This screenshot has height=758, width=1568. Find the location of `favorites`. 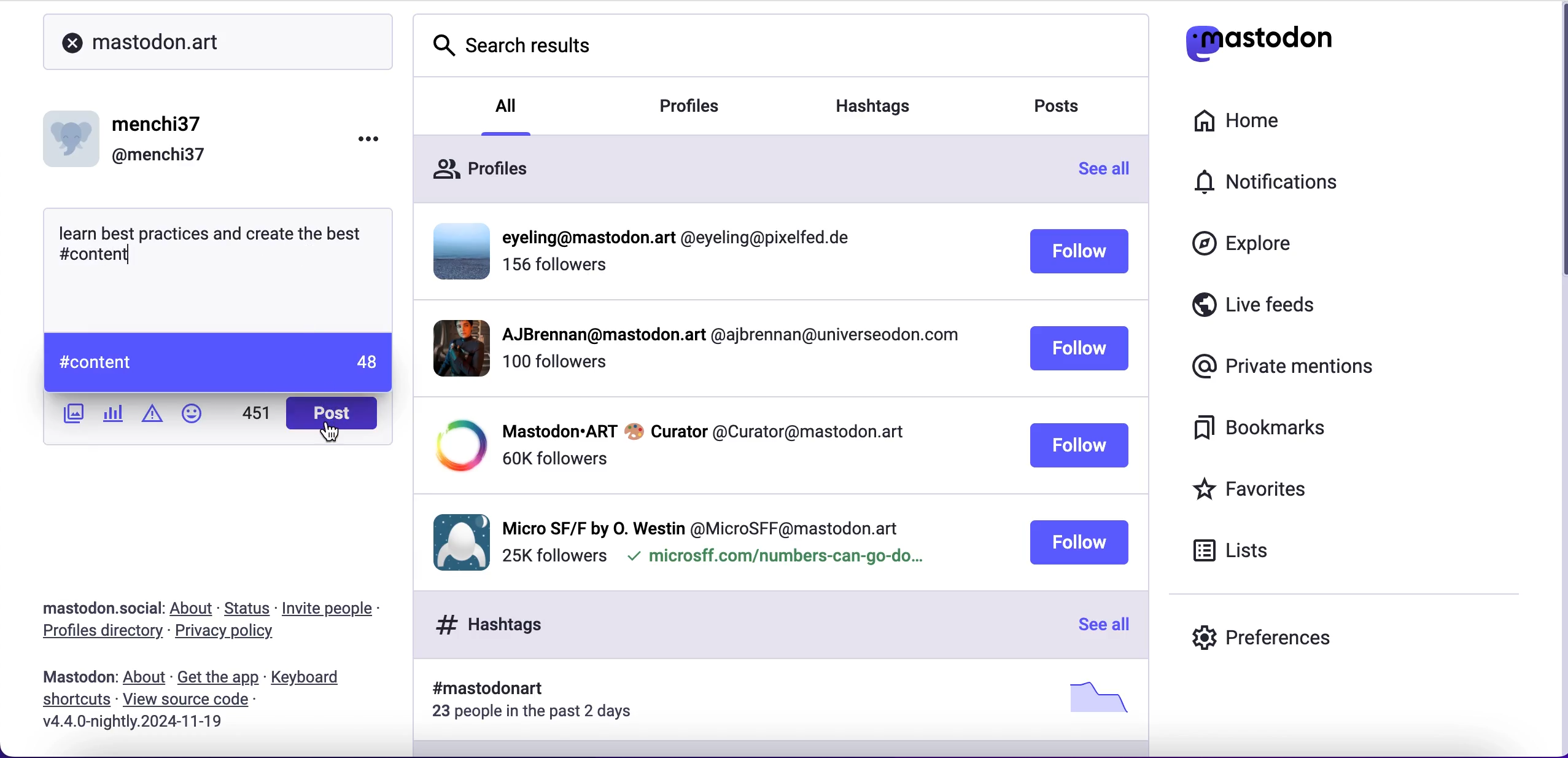

favorites is located at coordinates (1282, 488).